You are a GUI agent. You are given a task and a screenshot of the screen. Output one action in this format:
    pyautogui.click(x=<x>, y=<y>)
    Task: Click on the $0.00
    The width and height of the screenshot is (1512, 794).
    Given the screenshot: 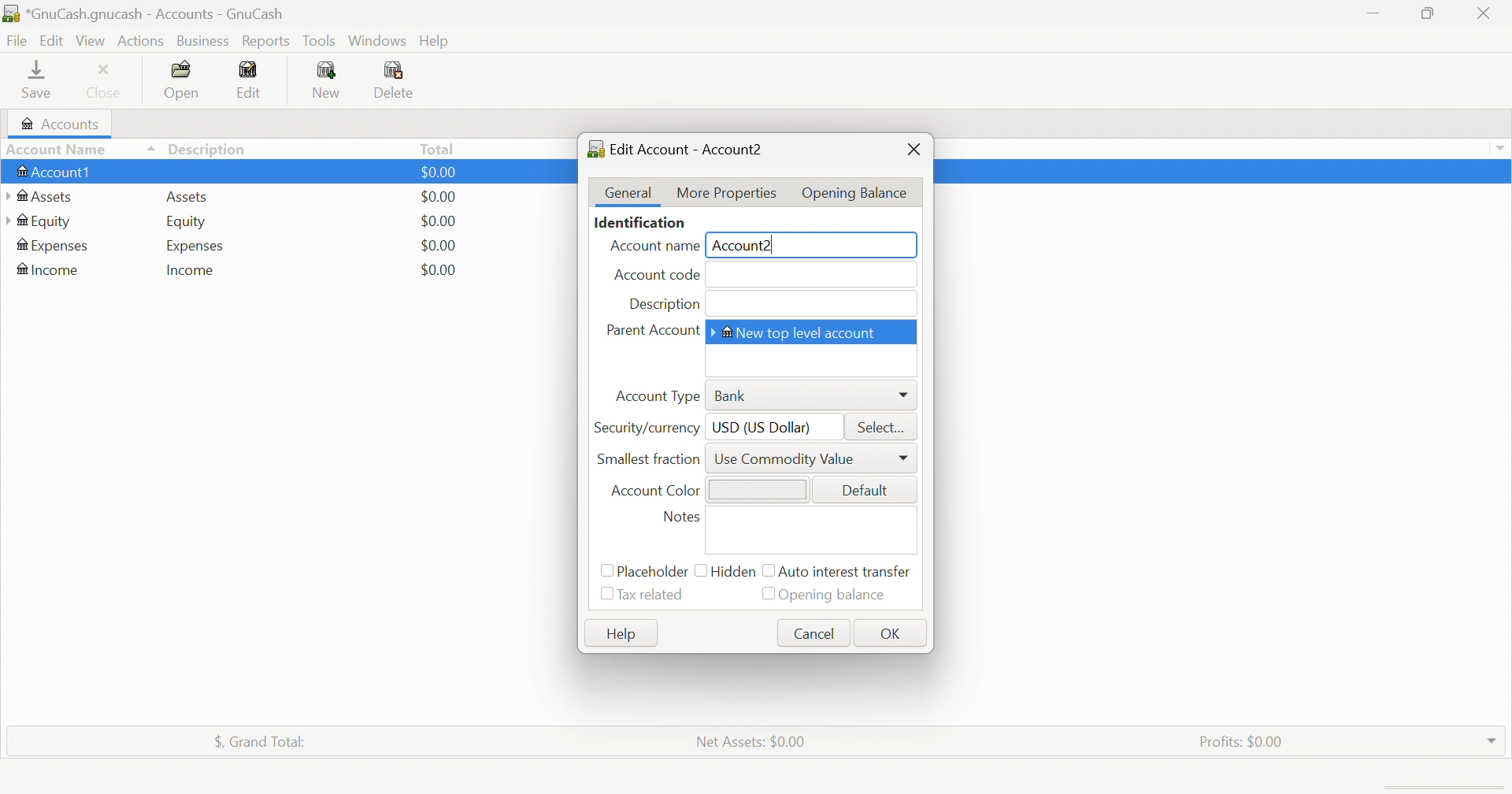 What is the action you would take?
    pyautogui.click(x=439, y=171)
    